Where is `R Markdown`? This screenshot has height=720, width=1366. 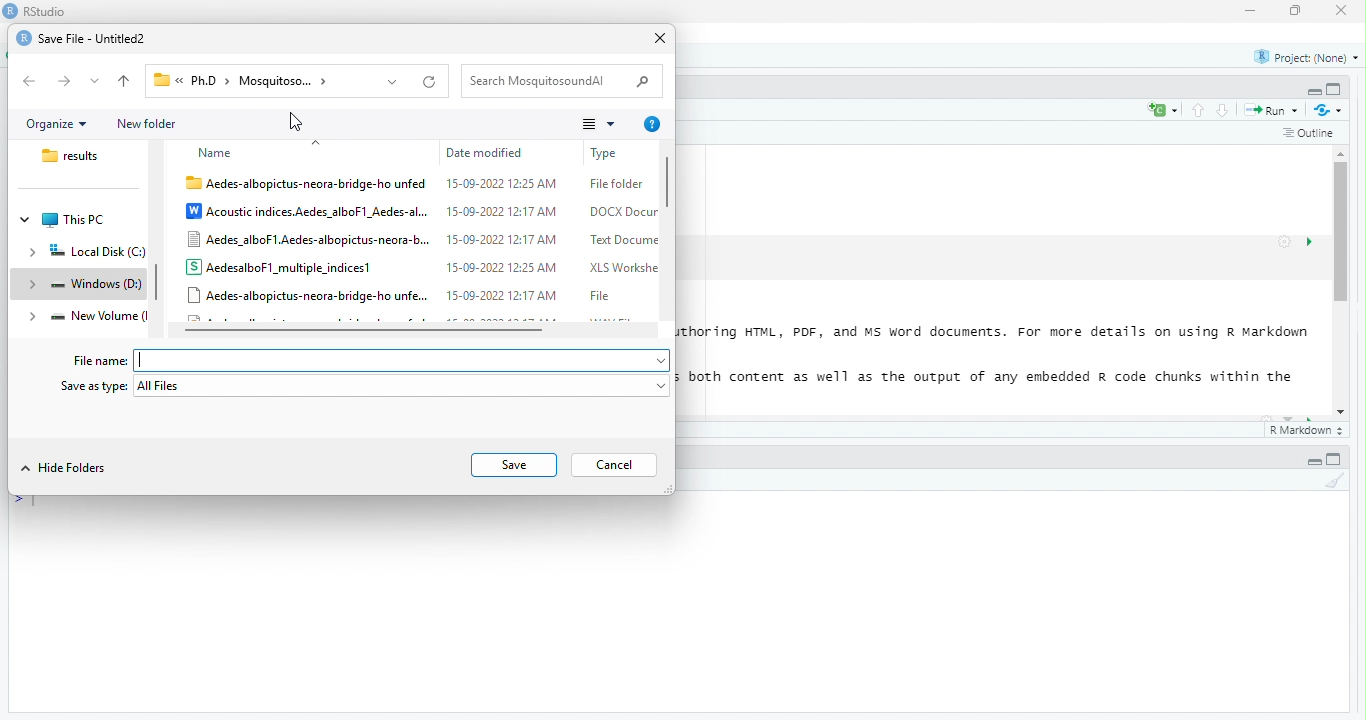 R Markdown is located at coordinates (1308, 431).